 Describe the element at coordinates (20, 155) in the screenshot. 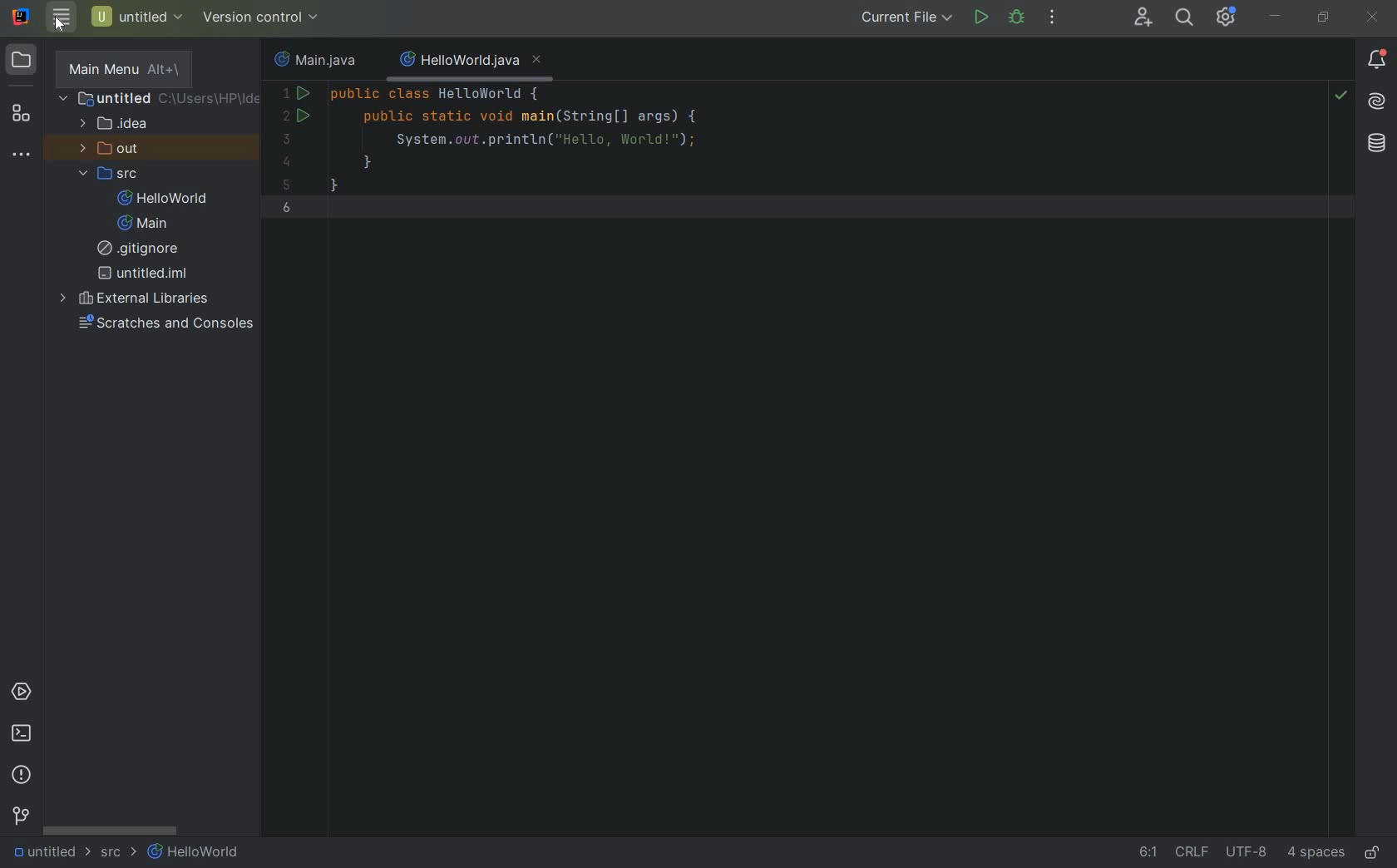

I see `MORE TOOL WINDOWS` at that location.